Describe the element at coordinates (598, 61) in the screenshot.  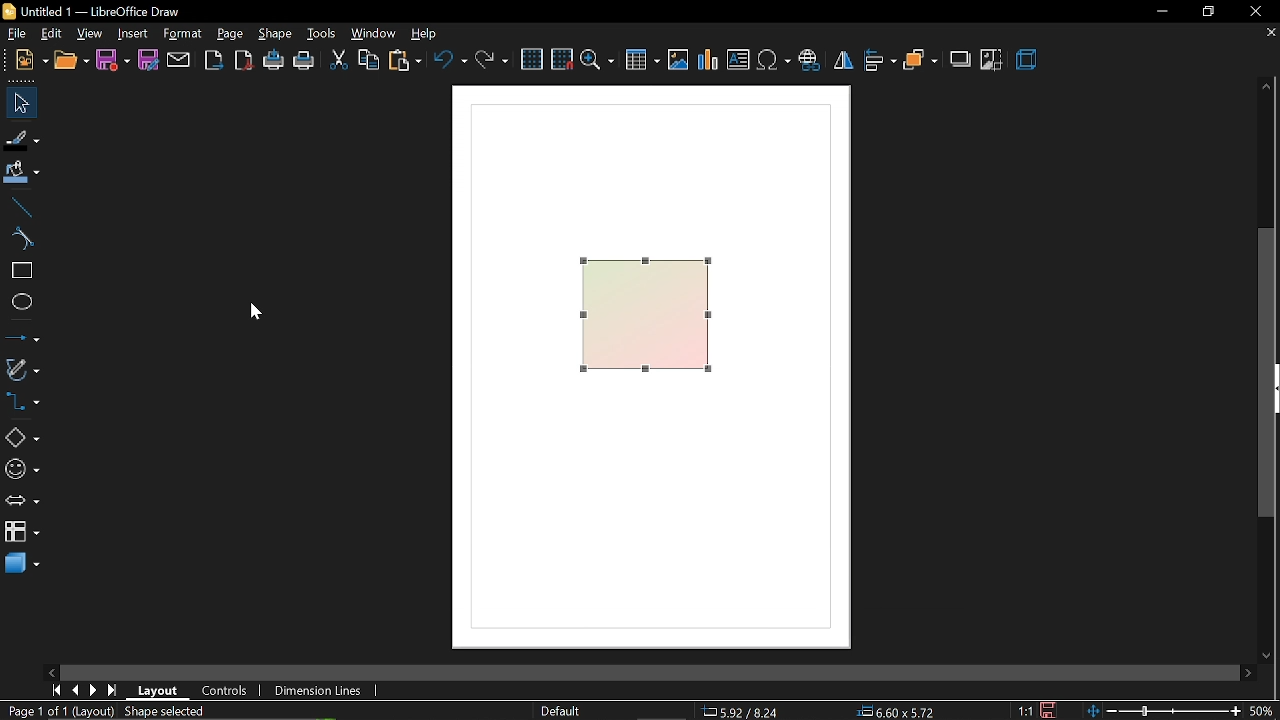
I see `zoom` at that location.